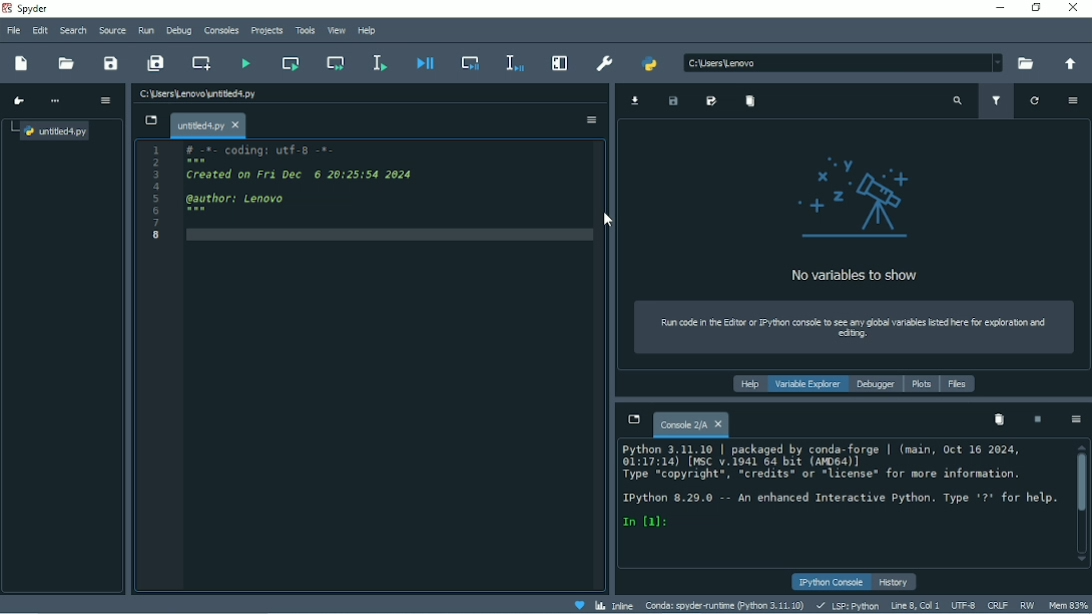 The height and width of the screenshot is (614, 1092). Describe the element at coordinates (107, 102) in the screenshot. I see `Options` at that location.